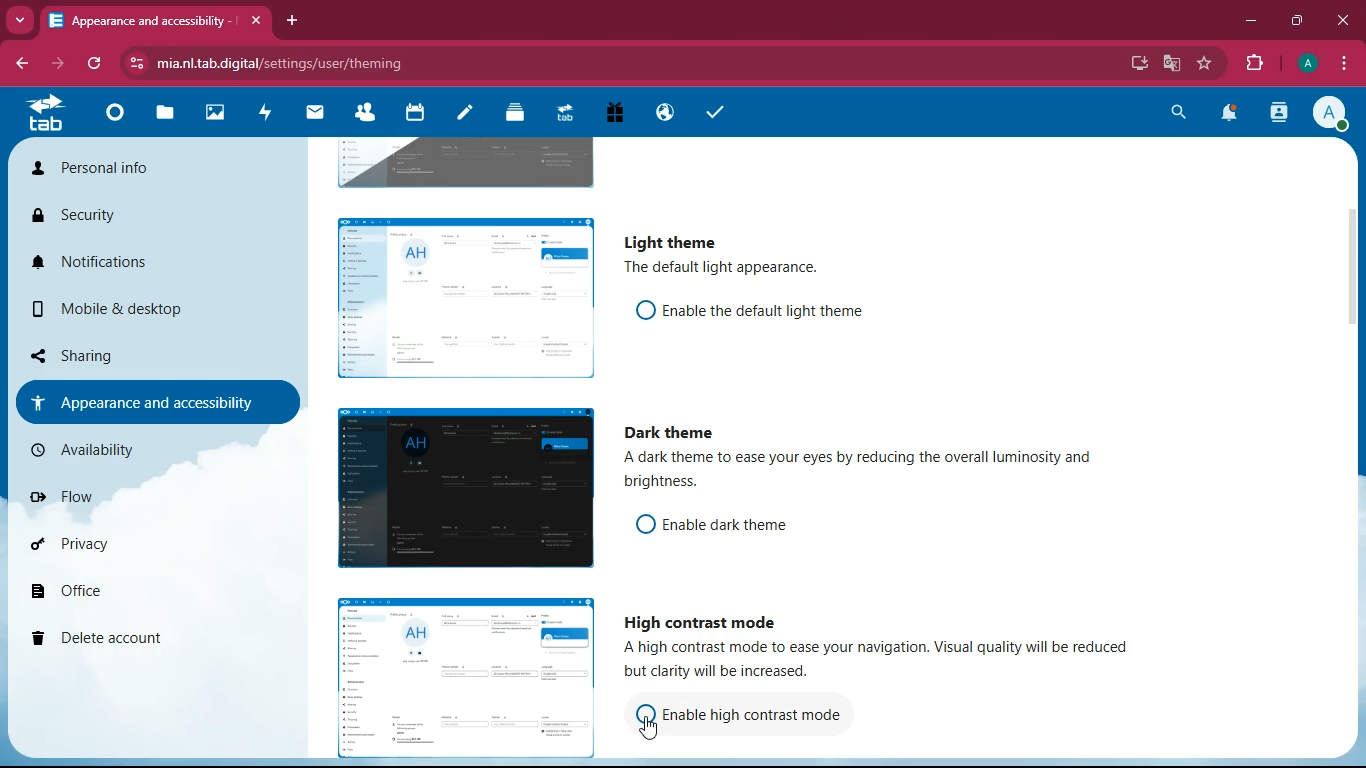 The width and height of the screenshot is (1366, 768). What do you see at coordinates (718, 268) in the screenshot?
I see `description` at bounding box center [718, 268].